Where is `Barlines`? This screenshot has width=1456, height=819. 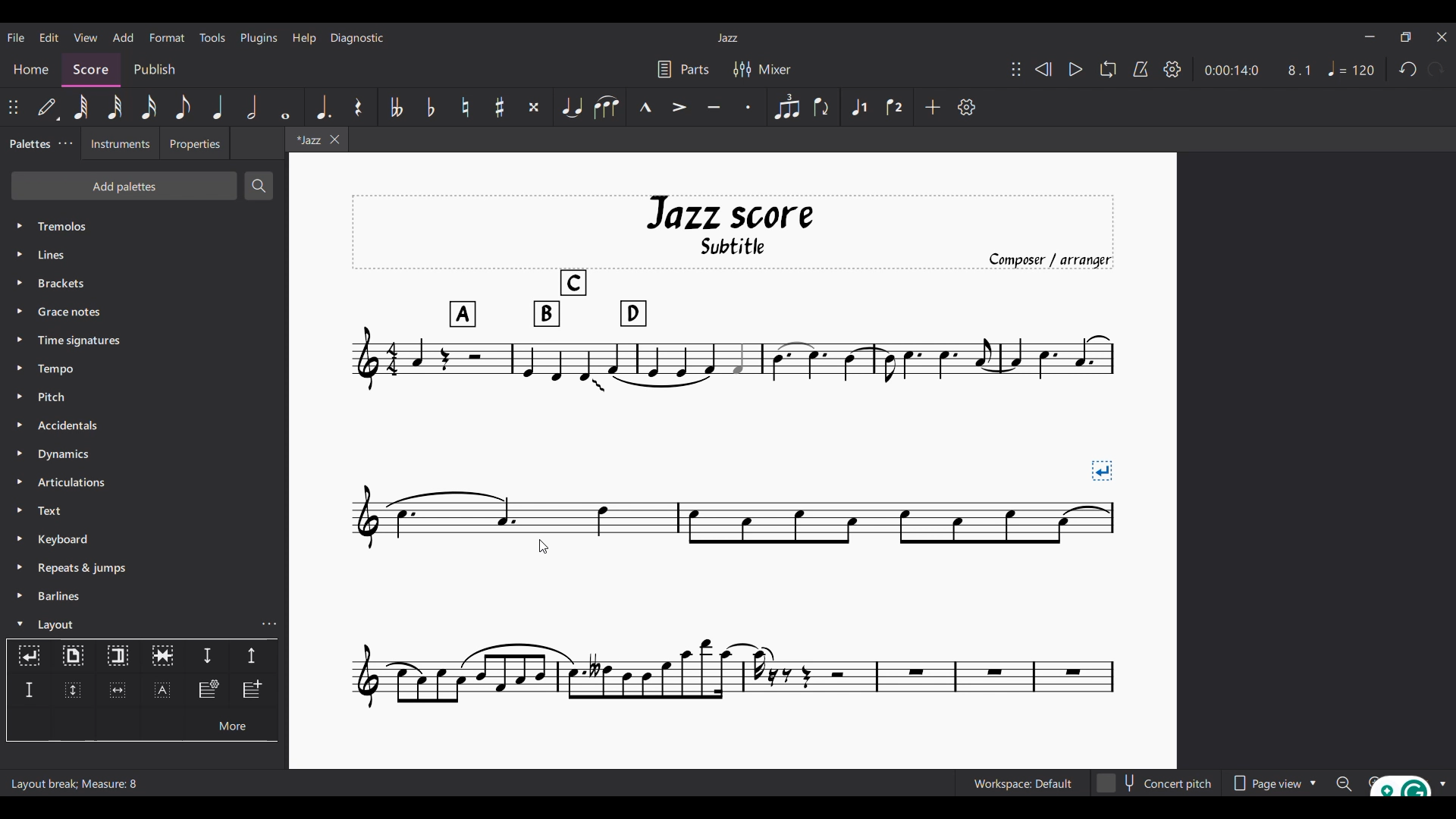 Barlines is located at coordinates (144, 596).